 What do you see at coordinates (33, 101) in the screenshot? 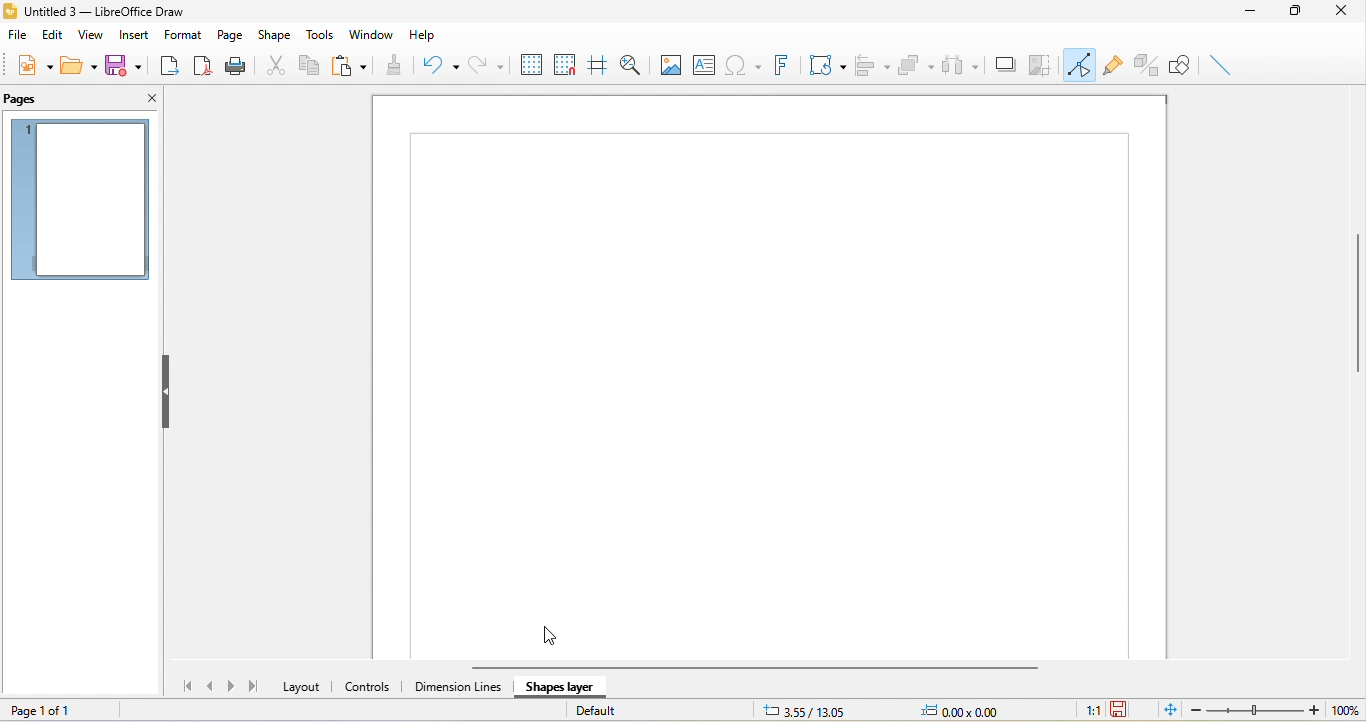
I see `pages` at bounding box center [33, 101].